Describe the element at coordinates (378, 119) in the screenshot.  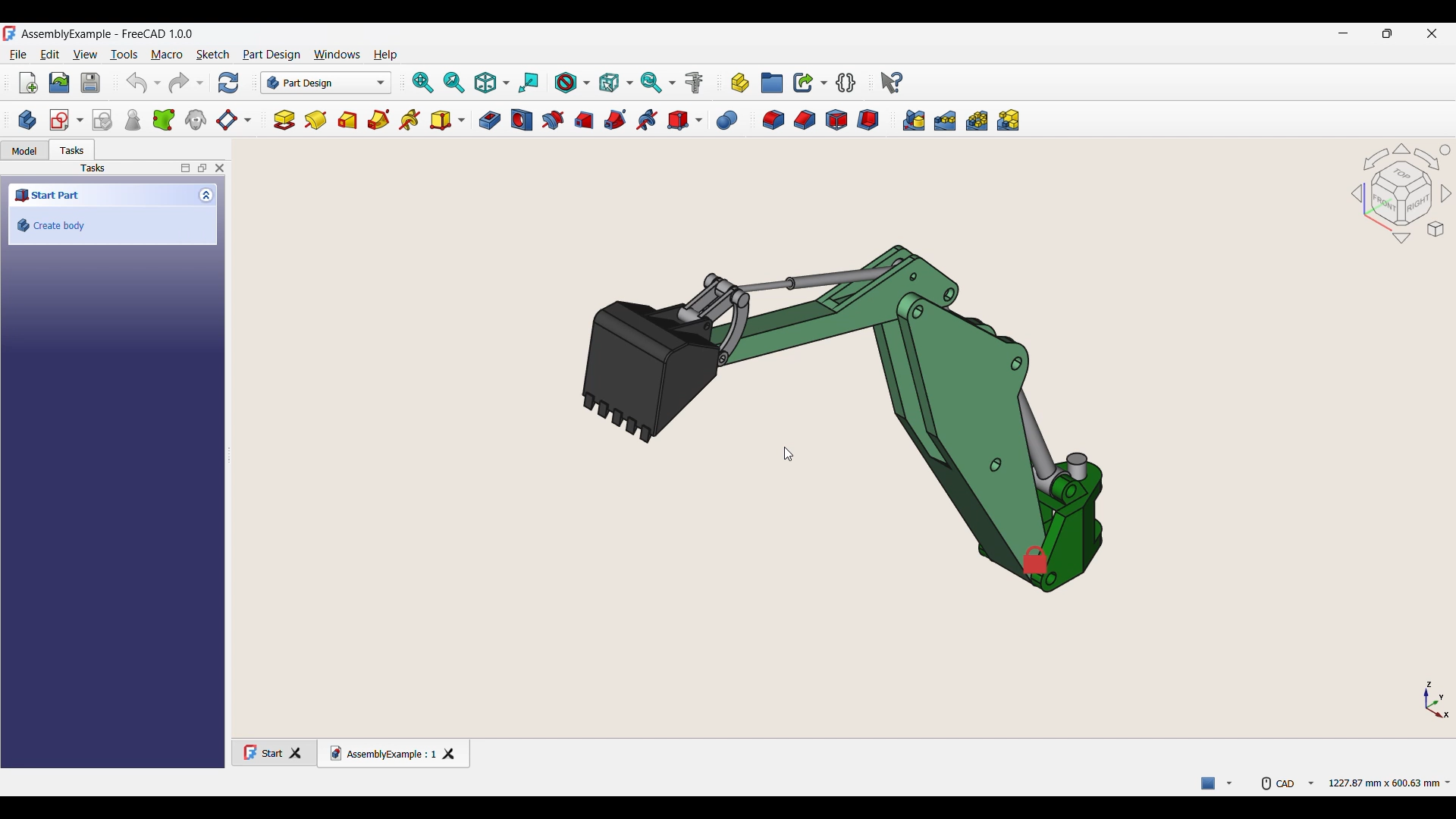
I see `Additive pipe` at that location.